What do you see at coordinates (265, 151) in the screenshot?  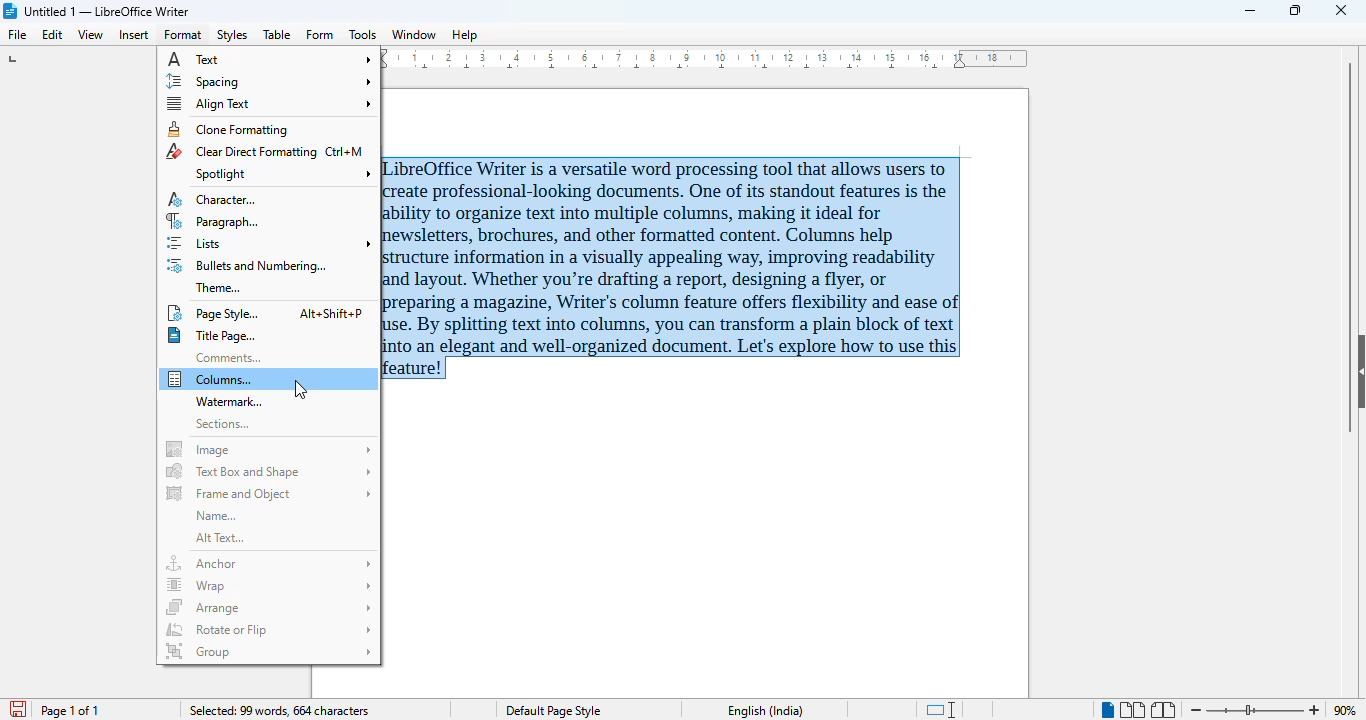 I see `clear direct formatting` at bounding box center [265, 151].